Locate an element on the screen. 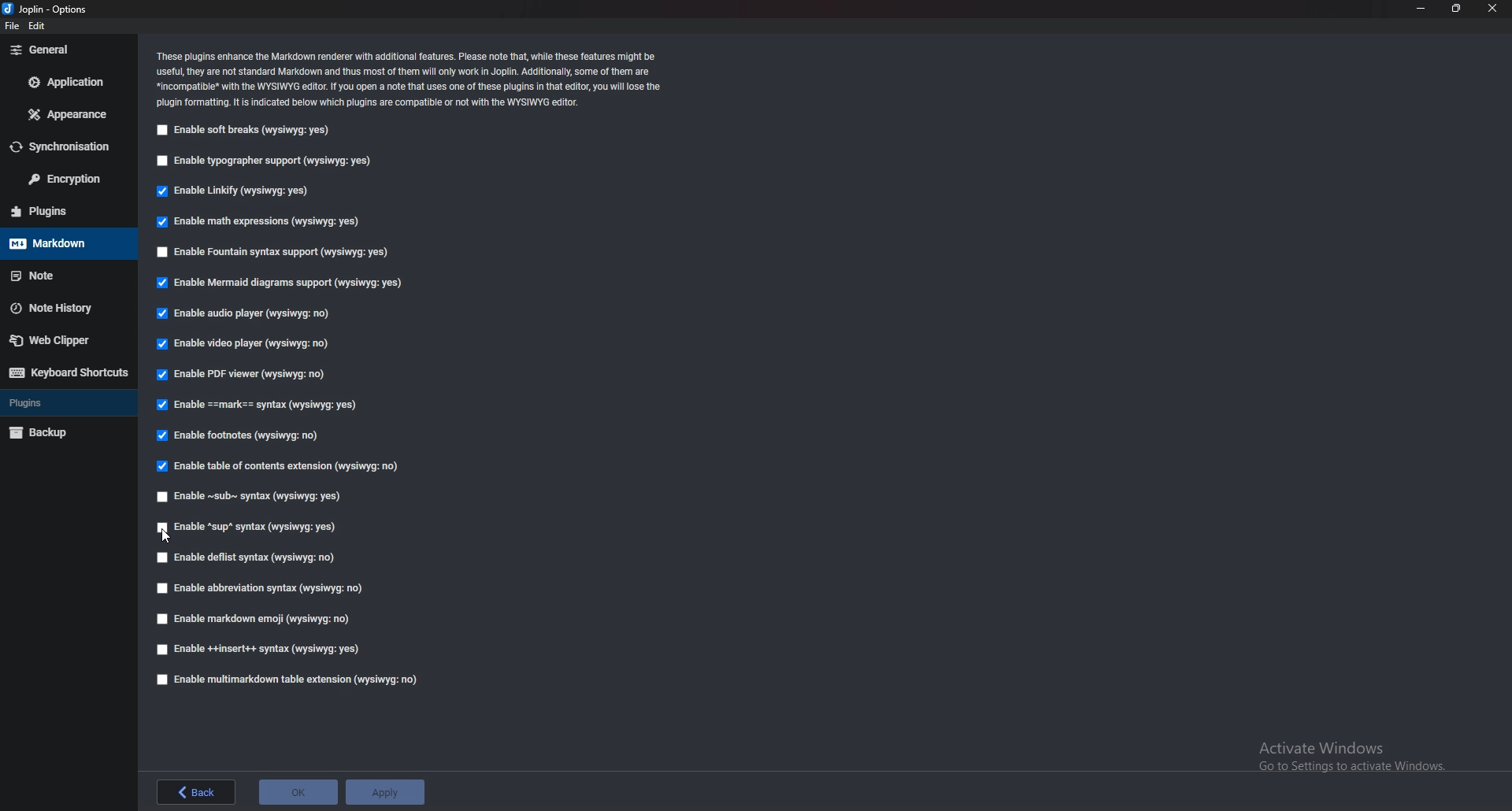  Enable video player (wysiwyg: no) is located at coordinates (249, 343).